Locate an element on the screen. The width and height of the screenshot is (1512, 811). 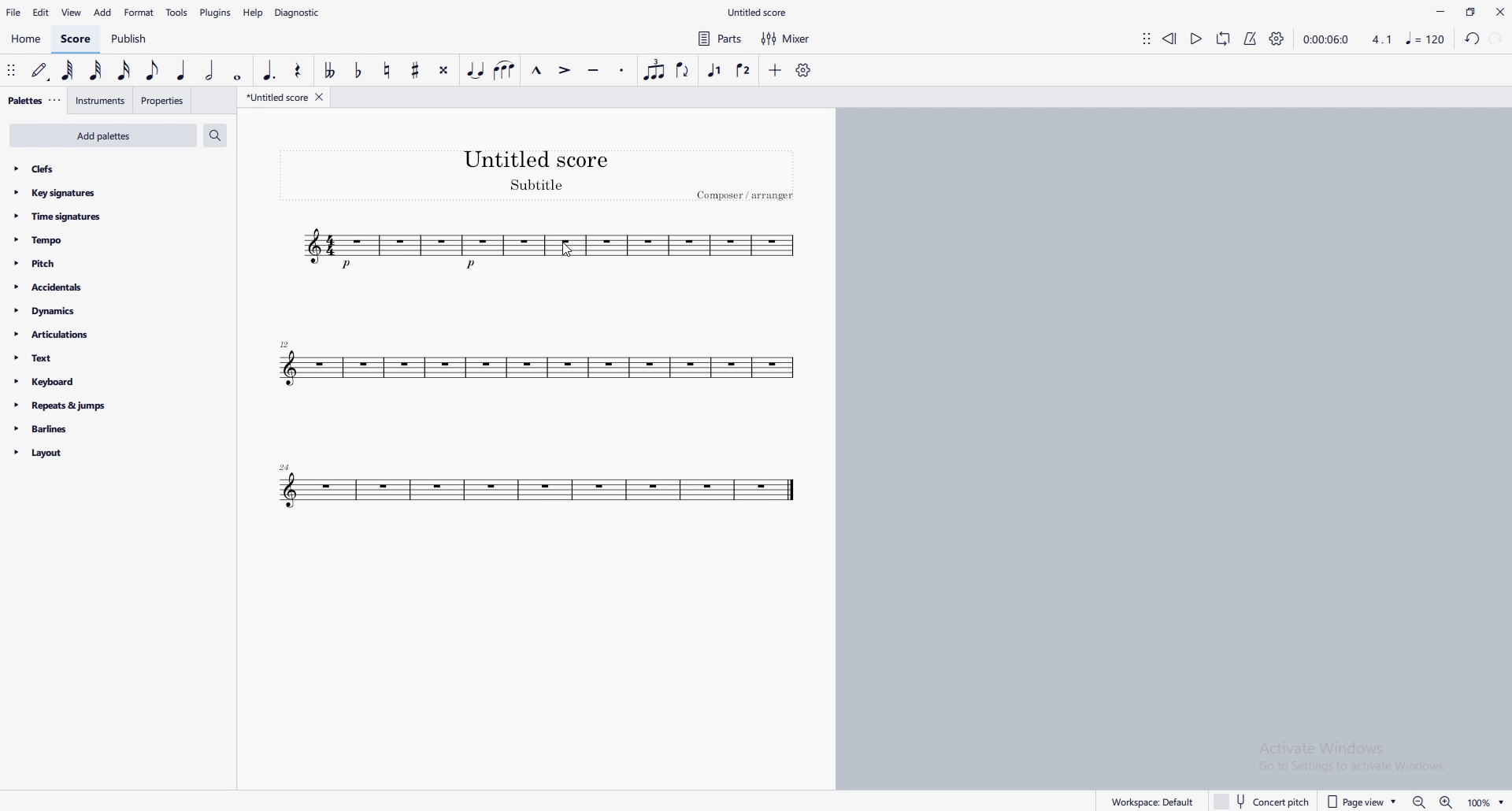
add palettes is located at coordinates (103, 135).